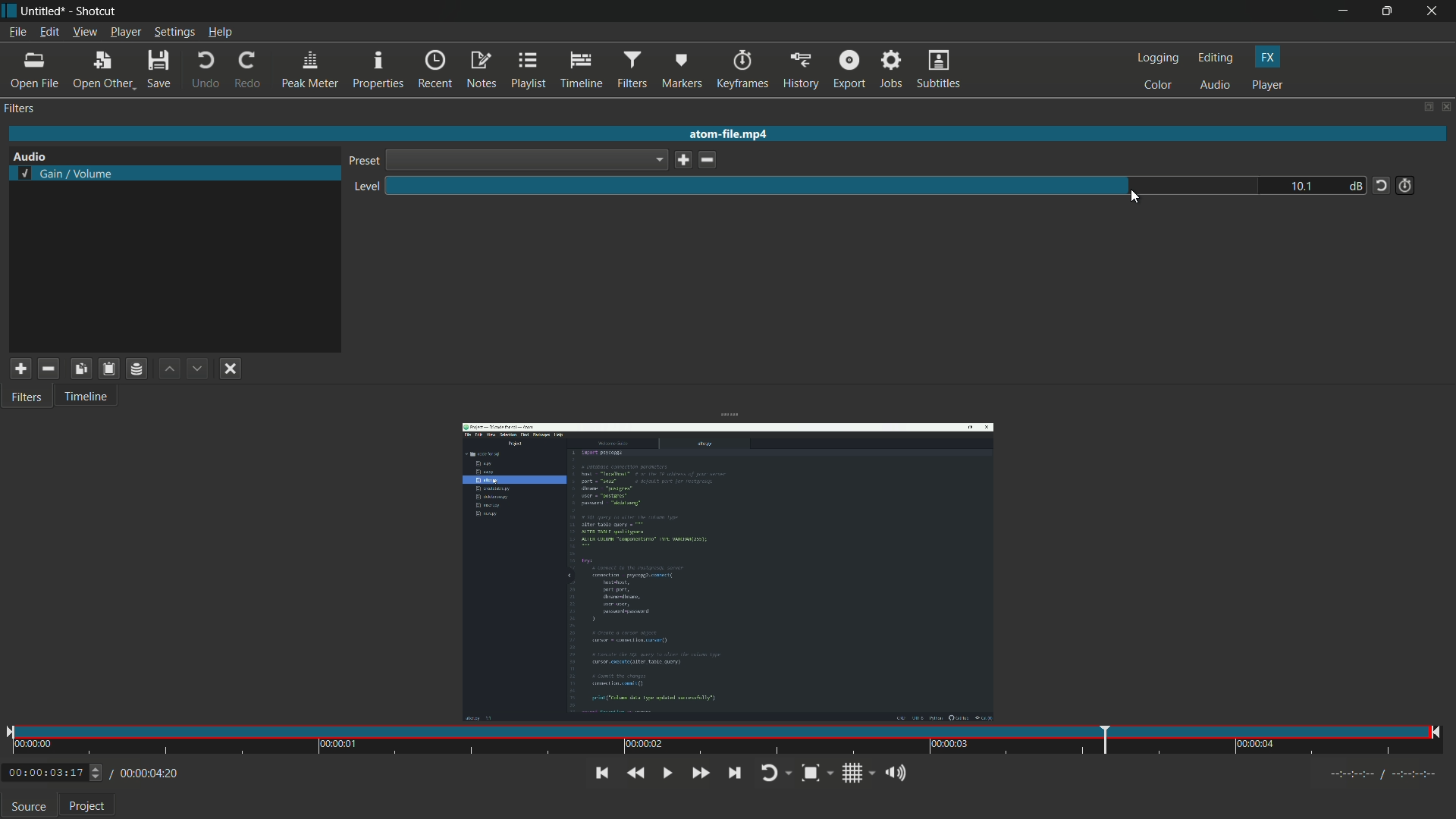 The width and height of the screenshot is (1456, 819). I want to click on Audio, so click(34, 152).